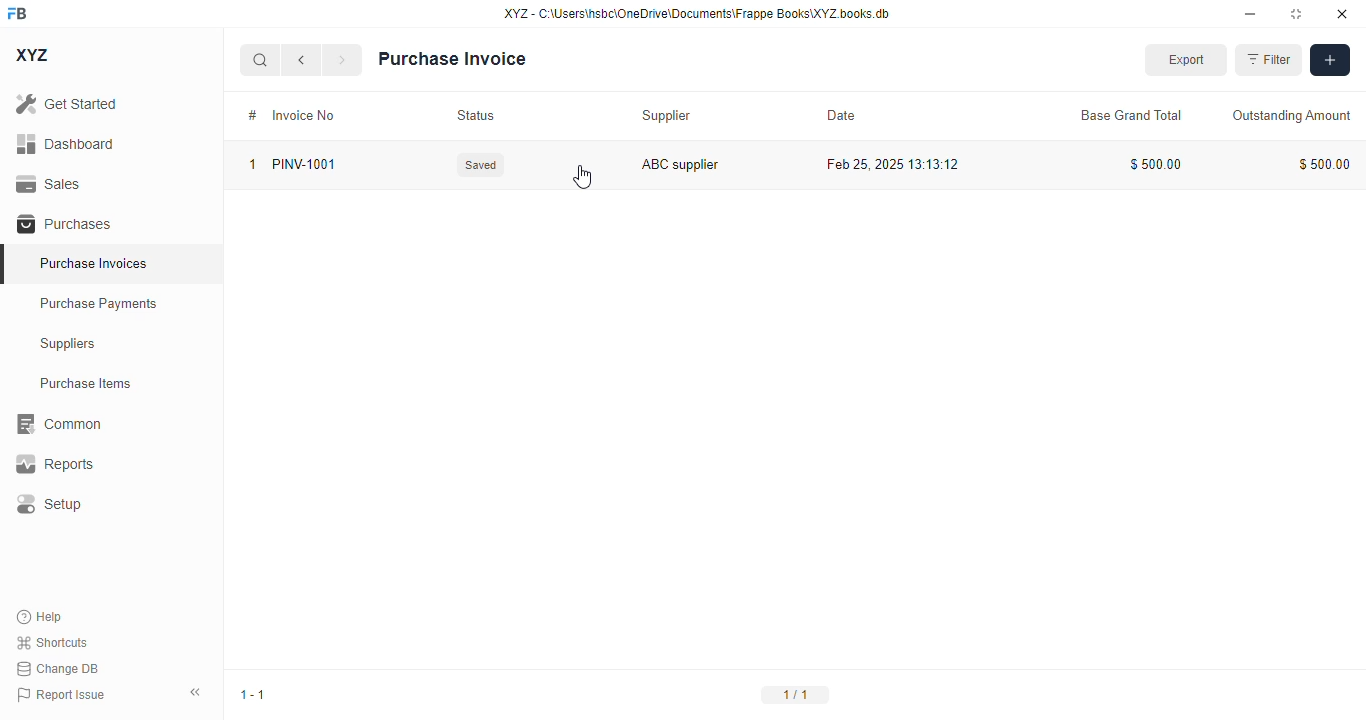 The image size is (1366, 720). I want to click on filter, so click(1268, 60).